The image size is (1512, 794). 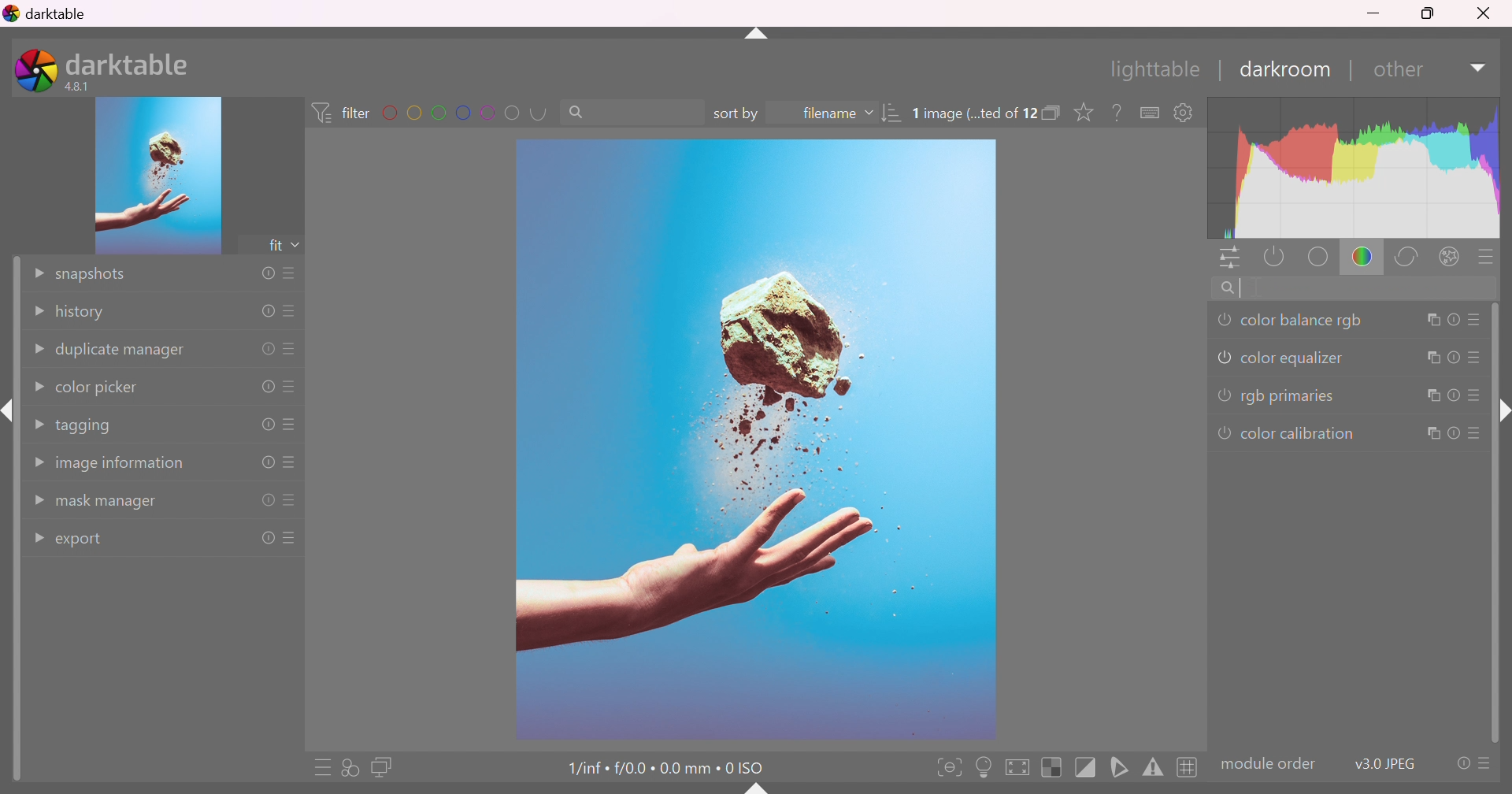 I want to click on filename, so click(x=821, y=114).